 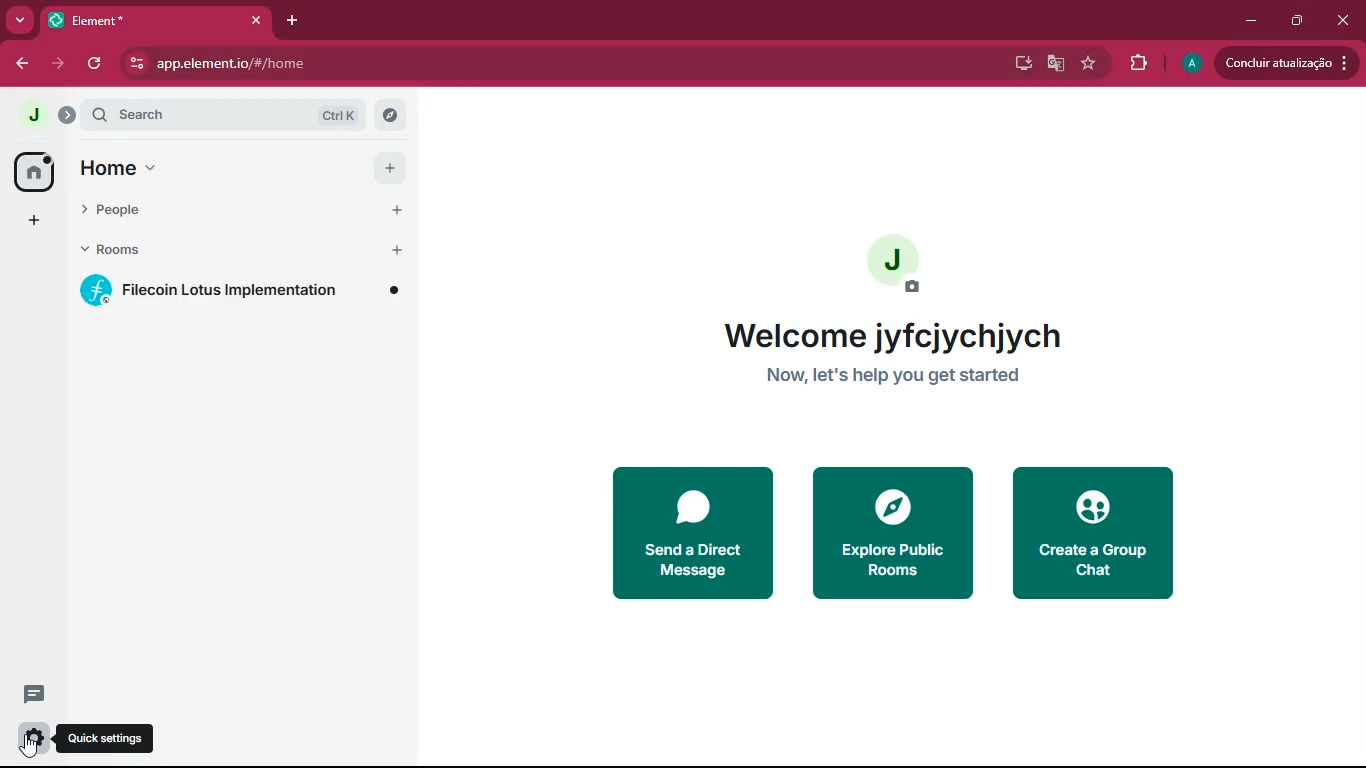 What do you see at coordinates (1286, 61) in the screenshot?
I see `update` at bounding box center [1286, 61].